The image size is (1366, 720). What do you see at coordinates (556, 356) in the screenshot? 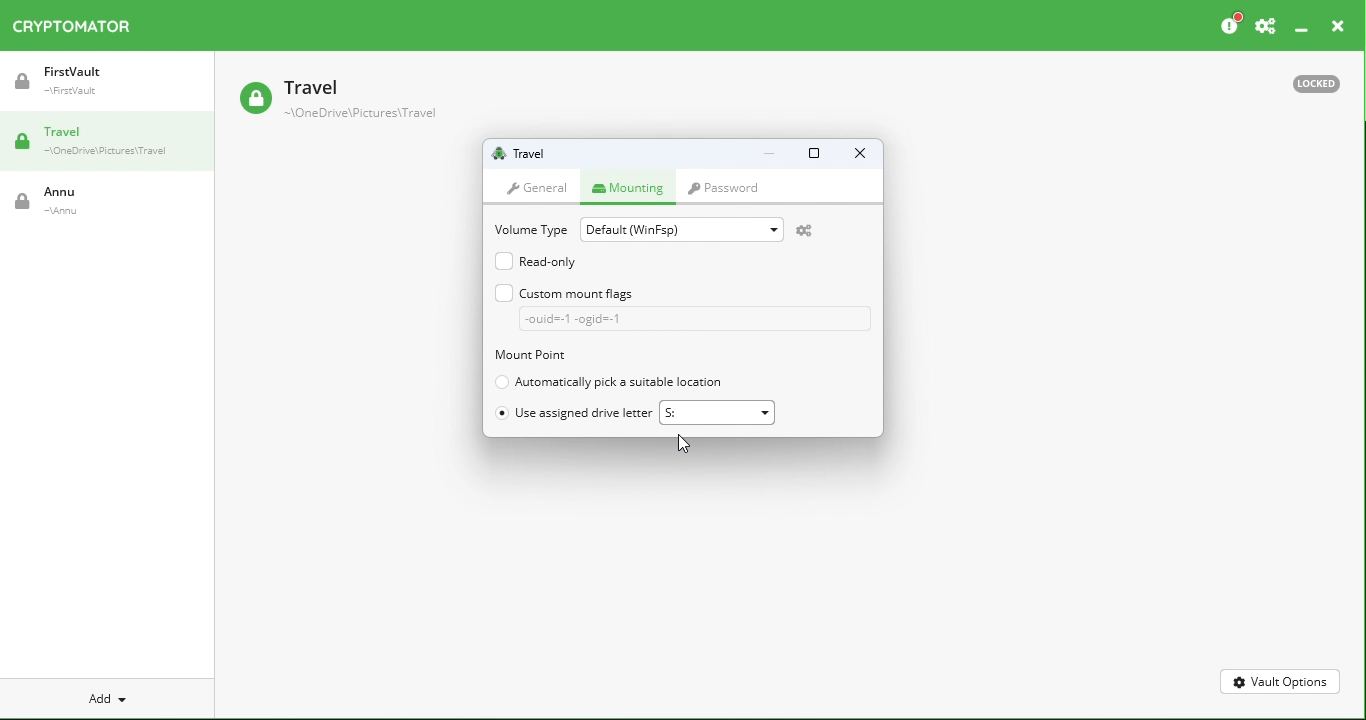
I see `Mount point` at bounding box center [556, 356].